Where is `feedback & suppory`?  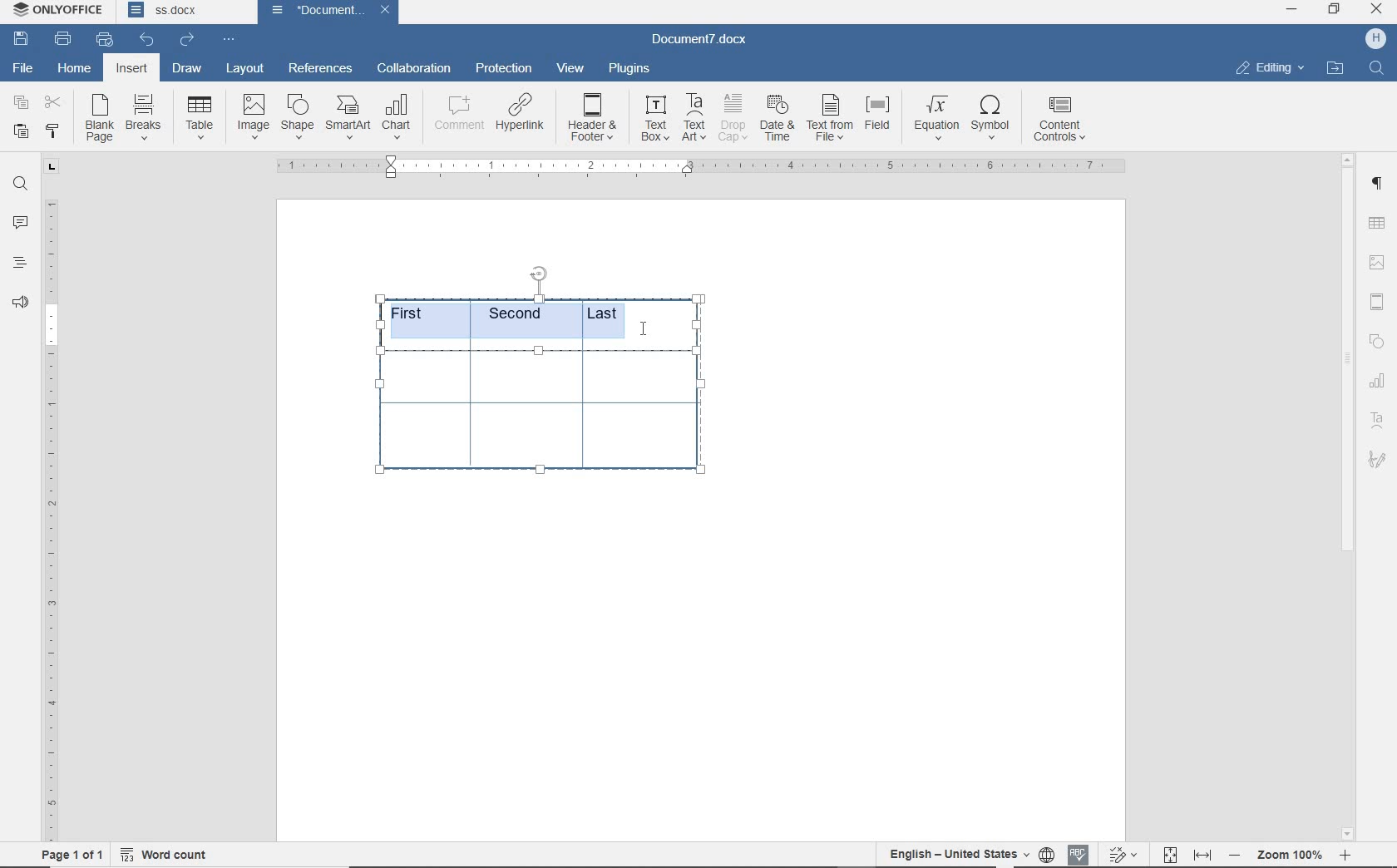 feedback & suppory is located at coordinates (21, 305).